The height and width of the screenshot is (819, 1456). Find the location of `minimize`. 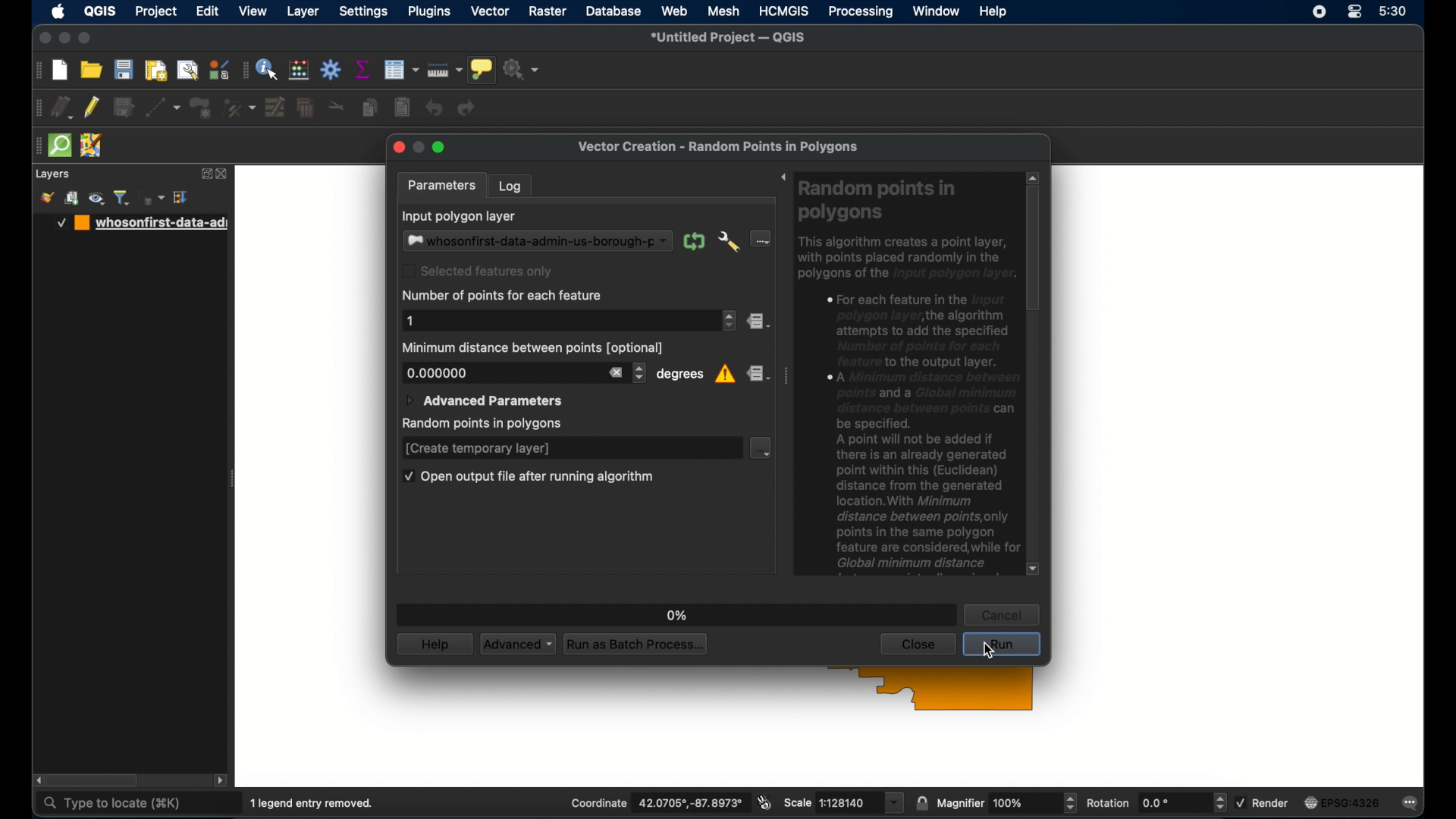

minimize is located at coordinates (65, 38).